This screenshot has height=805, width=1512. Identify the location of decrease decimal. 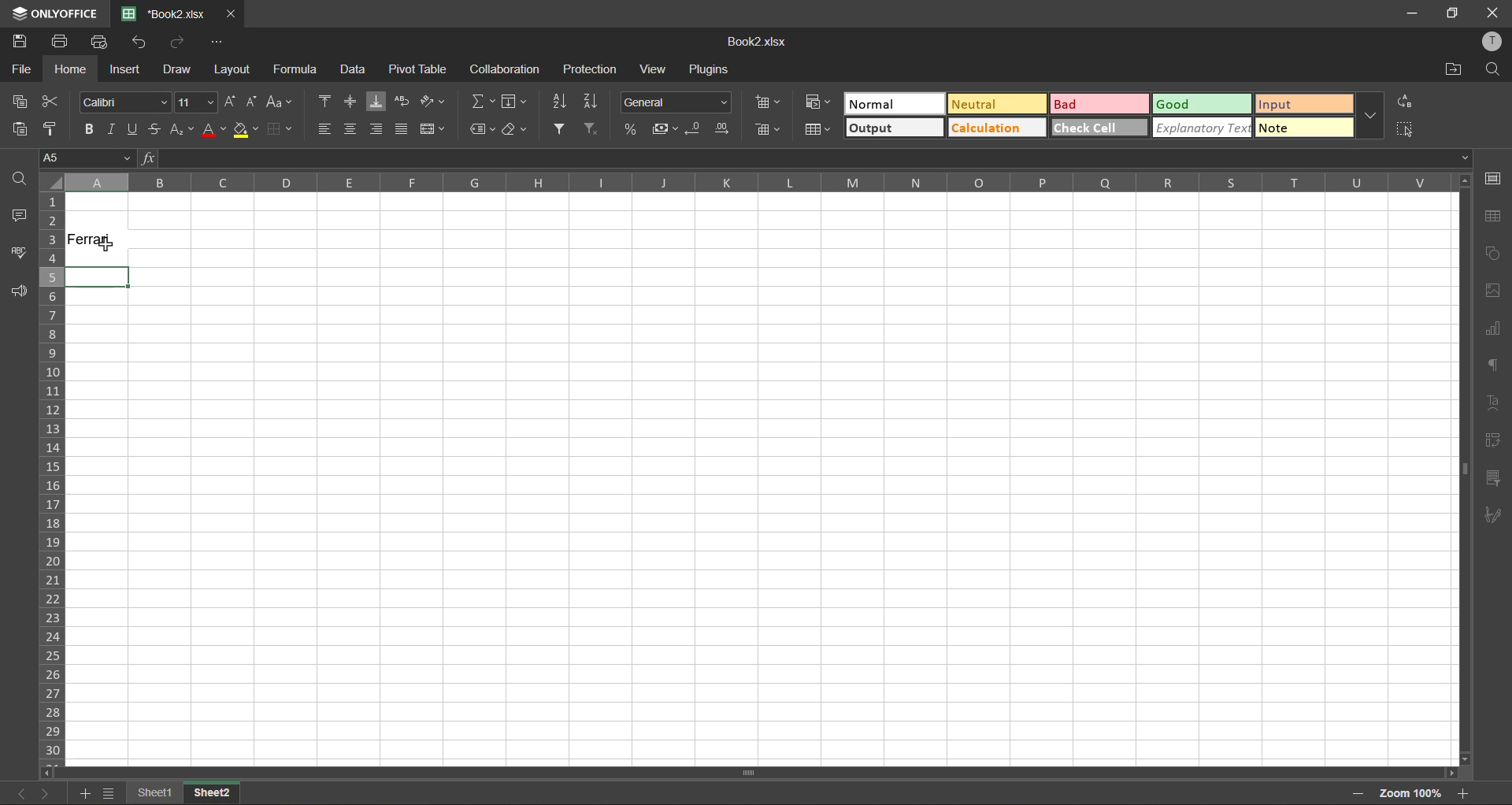
(695, 129).